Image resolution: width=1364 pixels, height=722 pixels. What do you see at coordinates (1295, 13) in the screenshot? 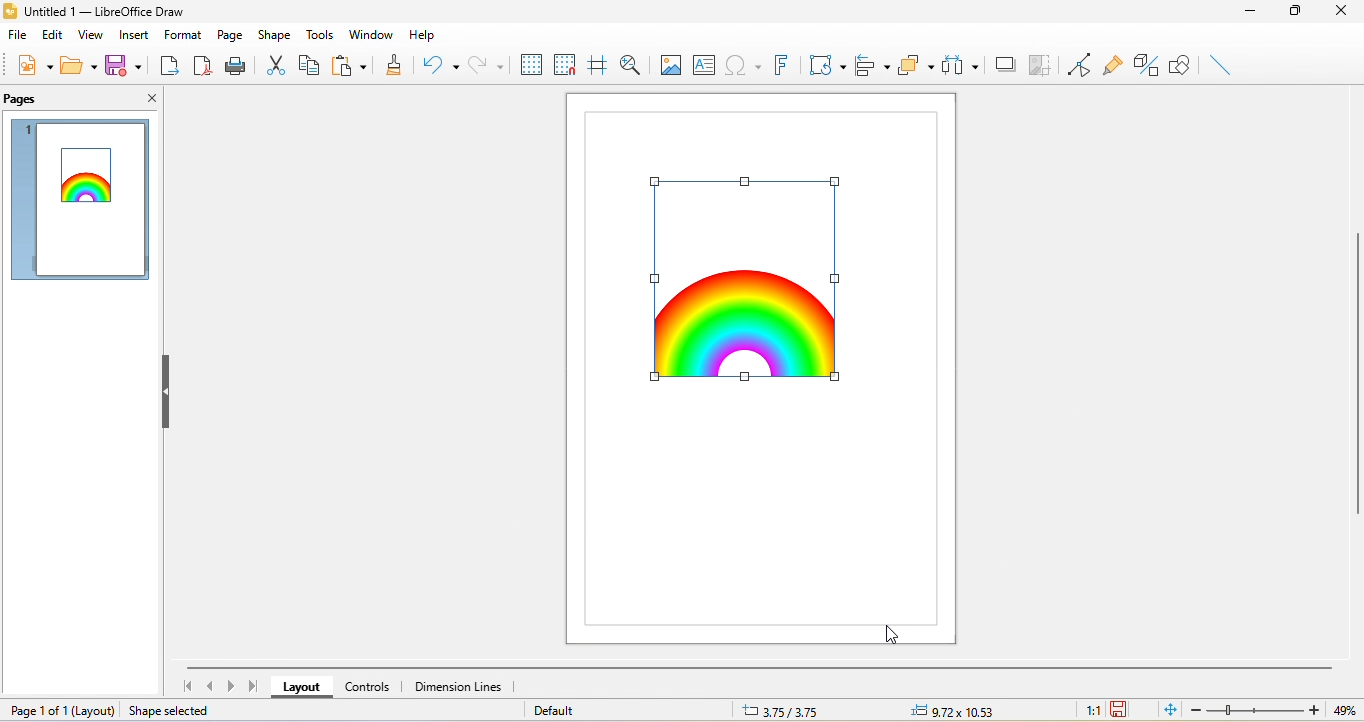
I see `maximize` at bounding box center [1295, 13].